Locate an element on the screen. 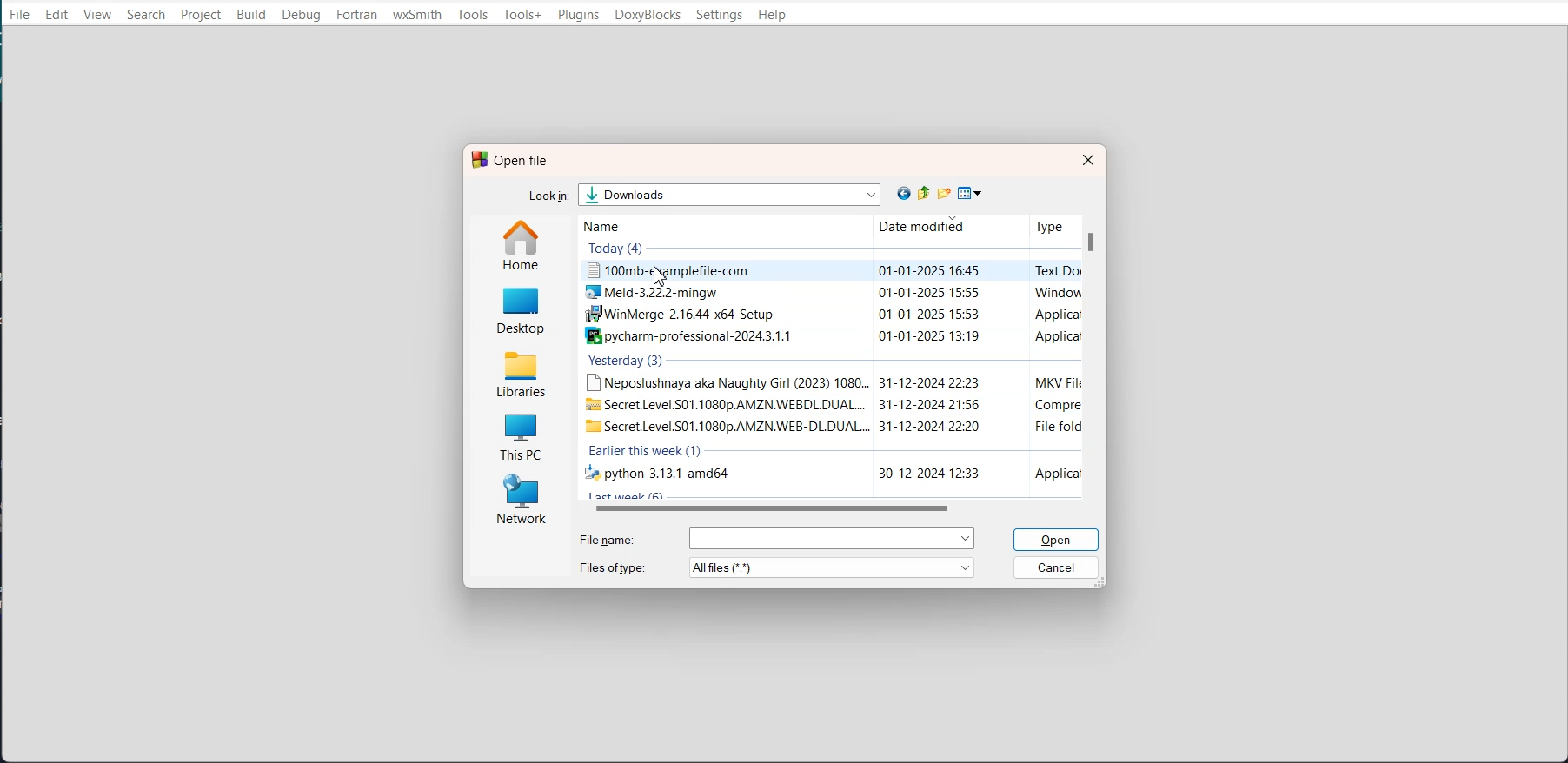 The width and height of the screenshot is (1568, 763). Close is located at coordinates (1086, 159).